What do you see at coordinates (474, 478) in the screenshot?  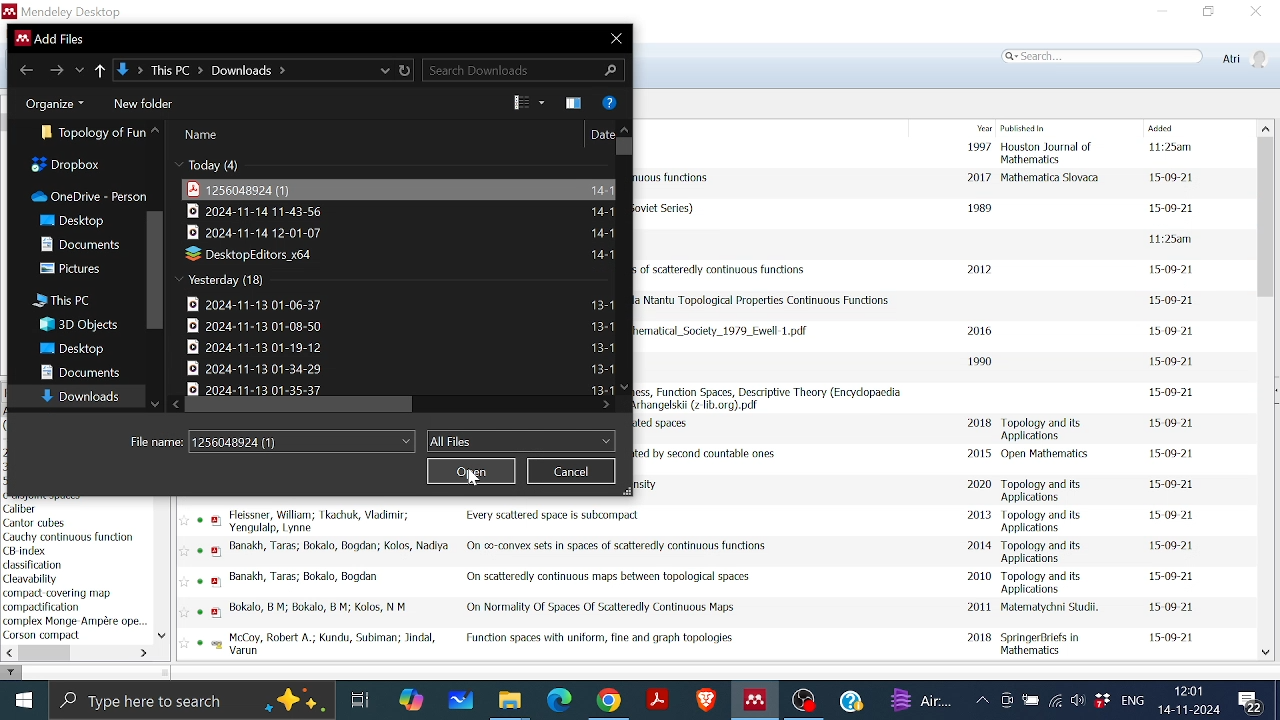 I see `Cursor` at bounding box center [474, 478].